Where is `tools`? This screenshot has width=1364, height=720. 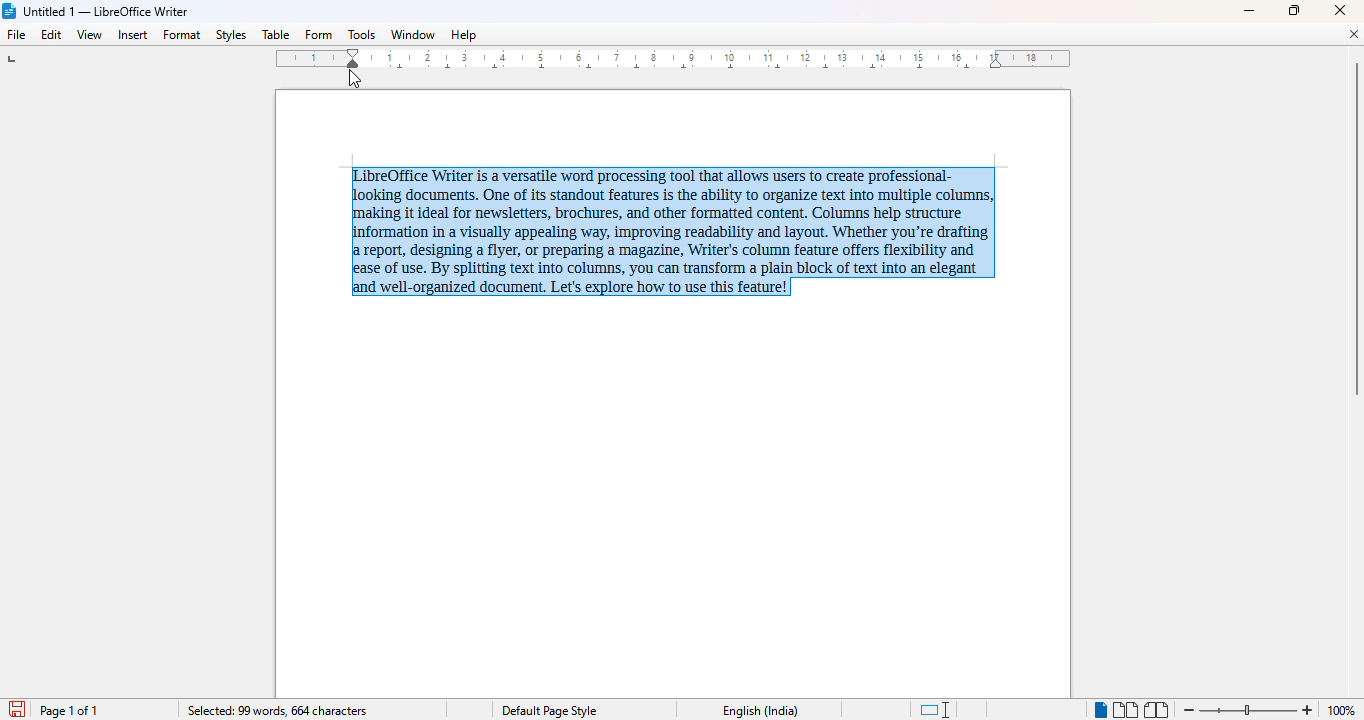
tools is located at coordinates (361, 34).